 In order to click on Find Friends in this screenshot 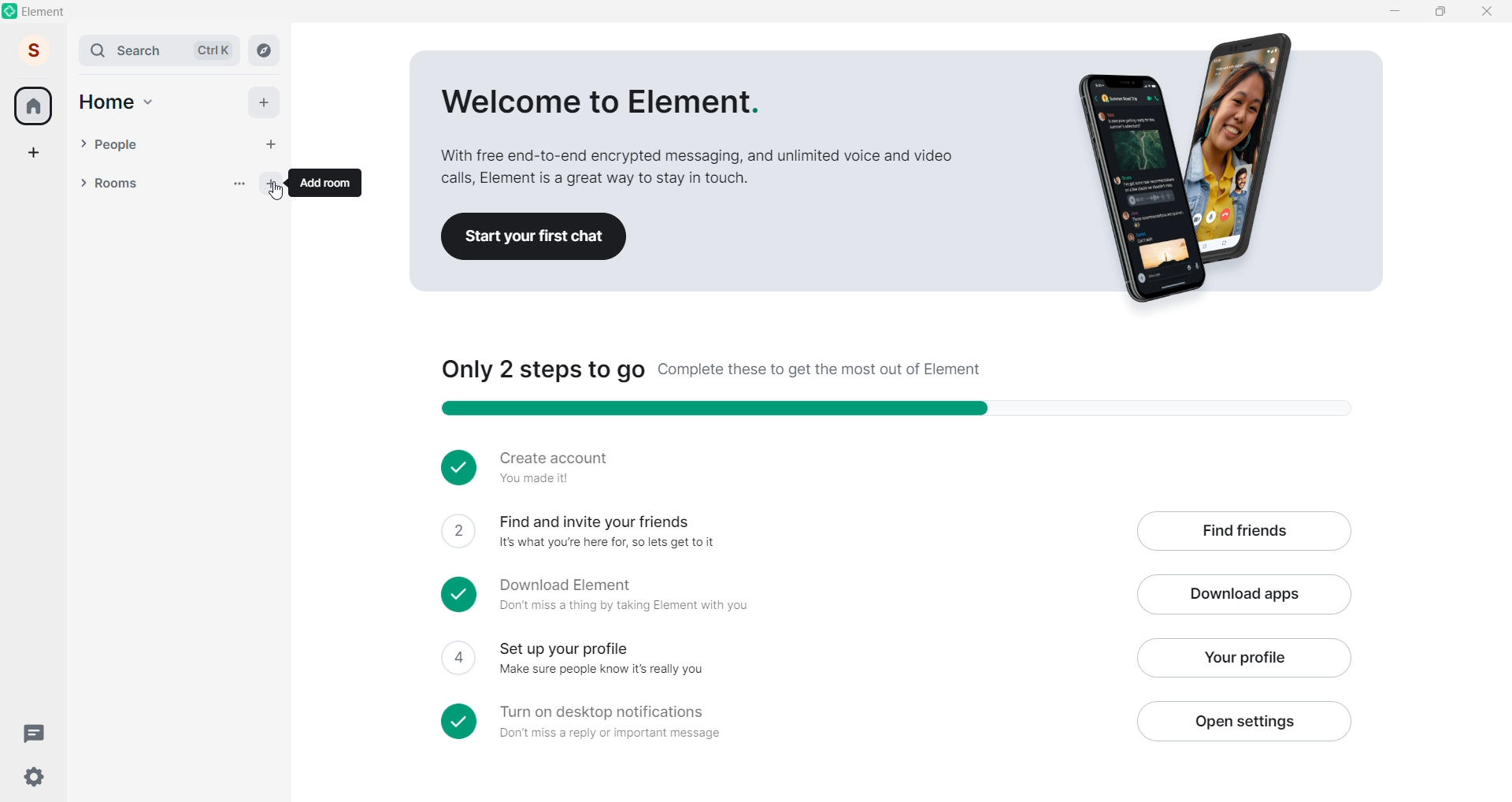, I will do `click(1243, 533)`.